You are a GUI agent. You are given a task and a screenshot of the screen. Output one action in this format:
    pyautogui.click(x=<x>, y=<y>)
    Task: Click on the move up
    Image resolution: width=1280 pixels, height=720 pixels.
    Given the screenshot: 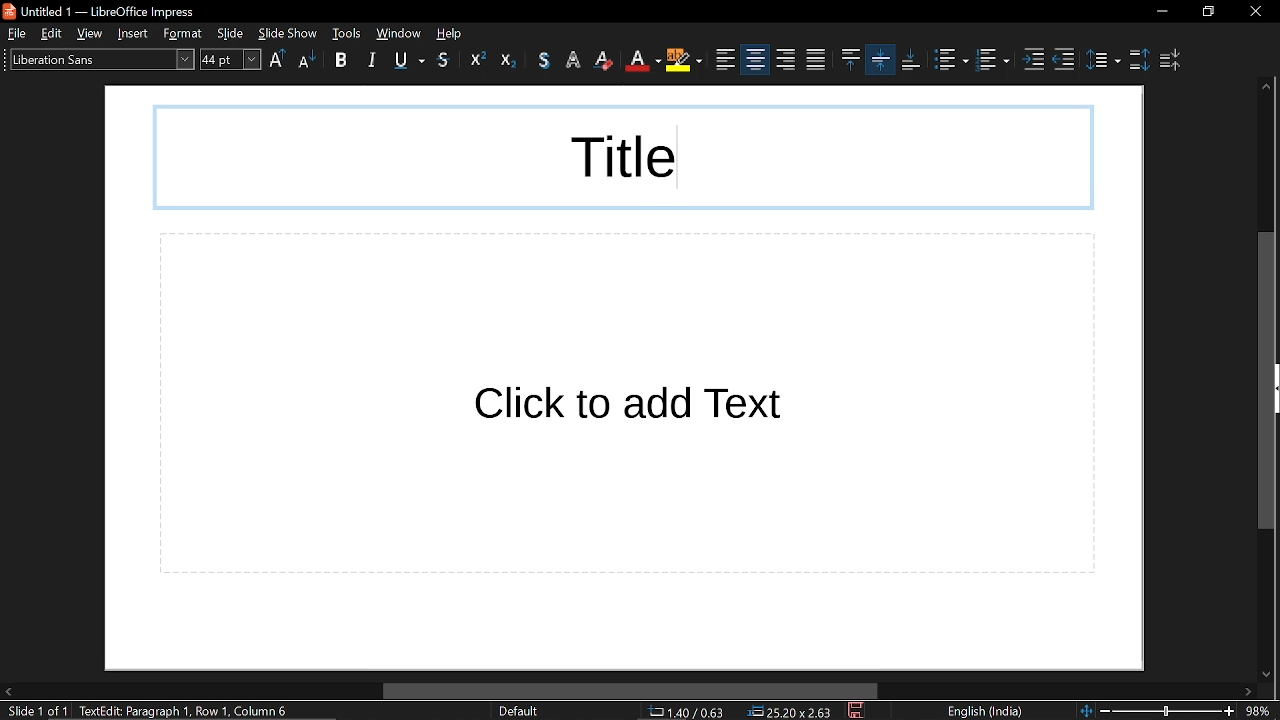 What is the action you would take?
    pyautogui.click(x=1265, y=88)
    